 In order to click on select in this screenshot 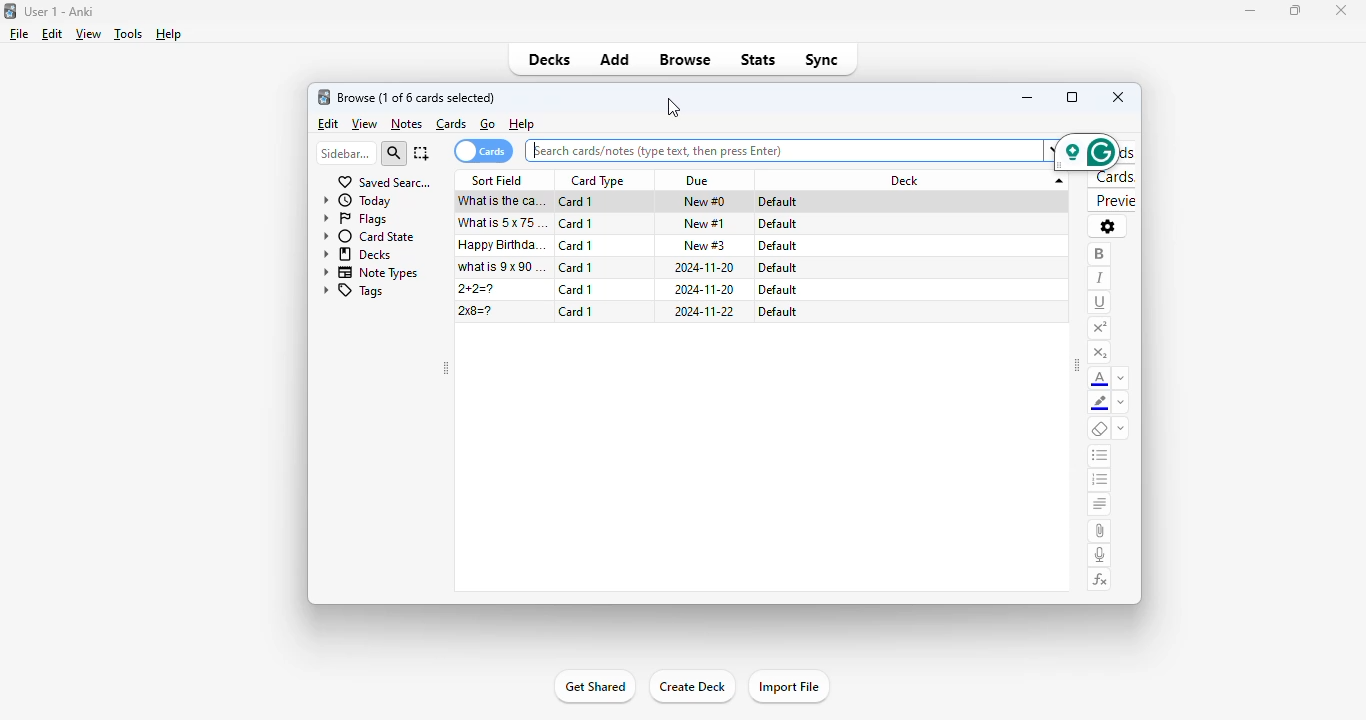, I will do `click(422, 154)`.